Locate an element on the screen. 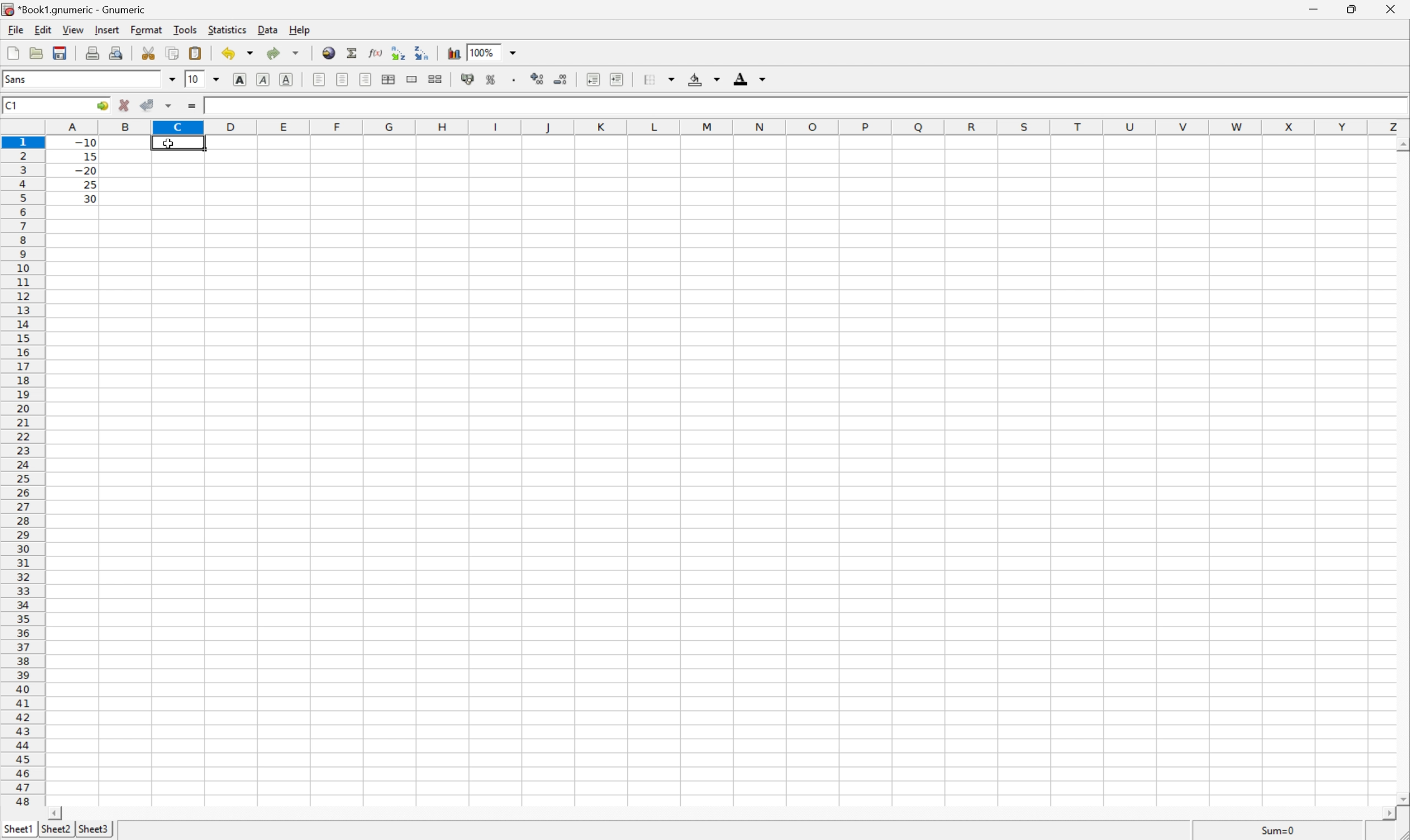 The height and width of the screenshot is (840, 1410). decrease Indent, and align the content to the left is located at coordinates (592, 79).